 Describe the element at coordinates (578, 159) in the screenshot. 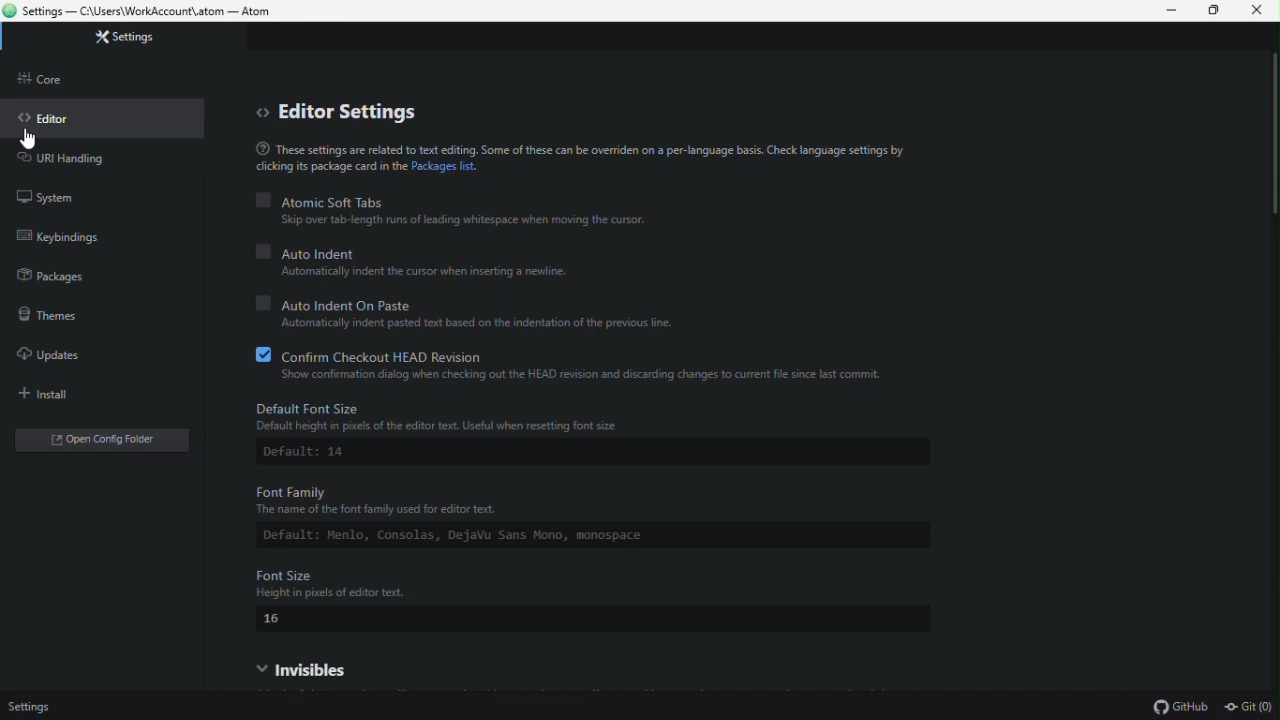

I see `® These settings are related to text editing. Some of these can be overriden on a per-language basis. Check language settings bycicking fs package card in the Packages list.` at that location.